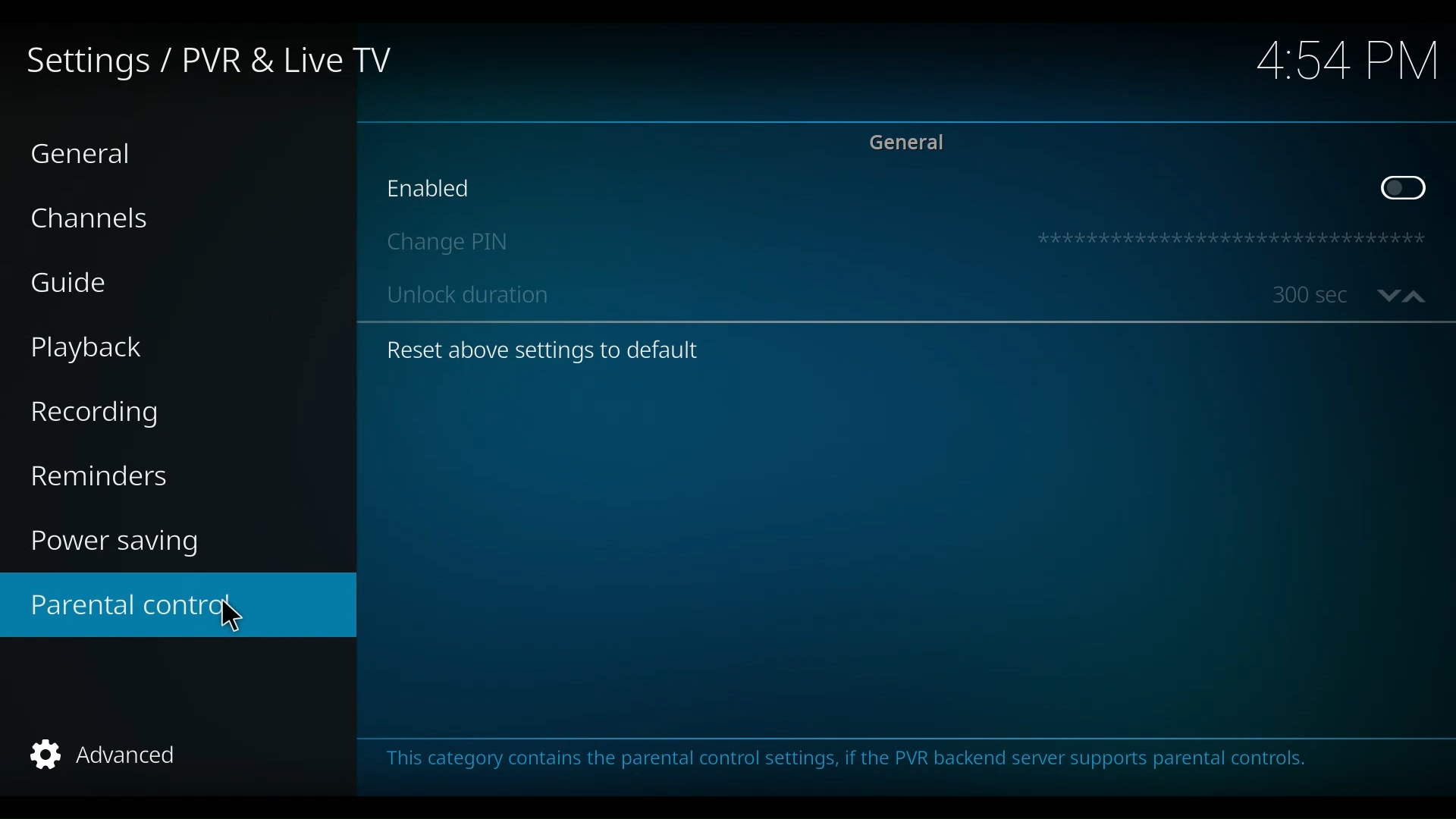 The height and width of the screenshot is (819, 1456). I want to click on This category contains the parental control settings if the PVR backend server supports parental control, so click(847, 761).